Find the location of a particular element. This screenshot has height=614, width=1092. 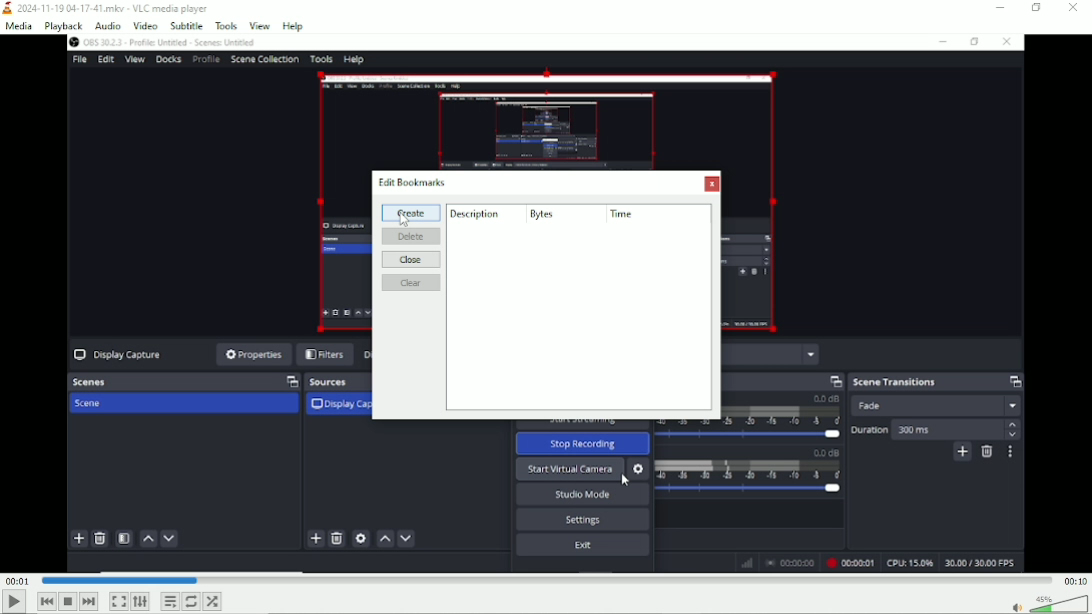

Stop playback is located at coordinates (68, 601).